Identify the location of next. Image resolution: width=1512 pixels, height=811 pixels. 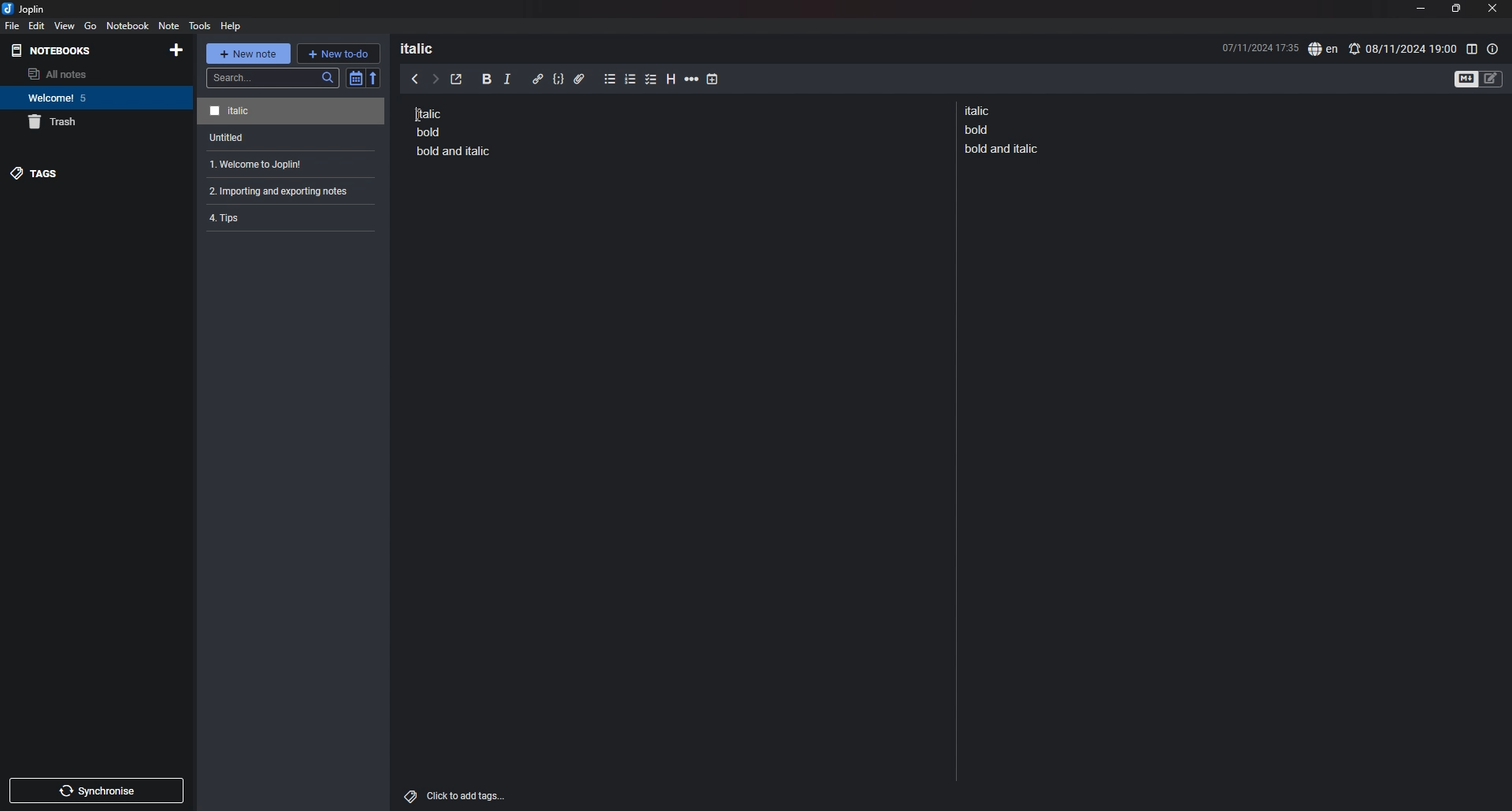
(435, 80).